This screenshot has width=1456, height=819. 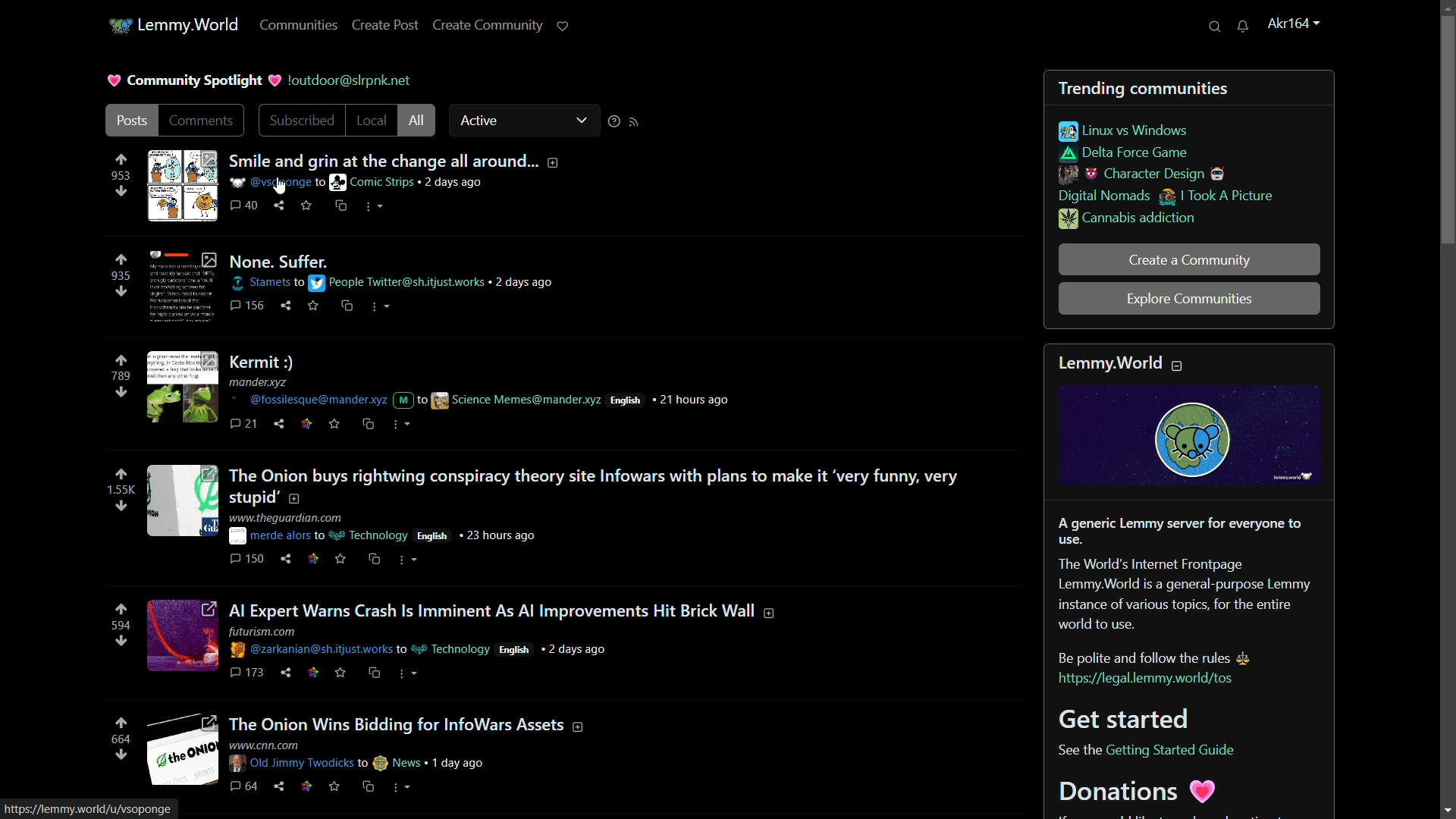 What do you see at coordinates (315, 306) in the screenshot?
I see `save` at bounding box center [315, 306].